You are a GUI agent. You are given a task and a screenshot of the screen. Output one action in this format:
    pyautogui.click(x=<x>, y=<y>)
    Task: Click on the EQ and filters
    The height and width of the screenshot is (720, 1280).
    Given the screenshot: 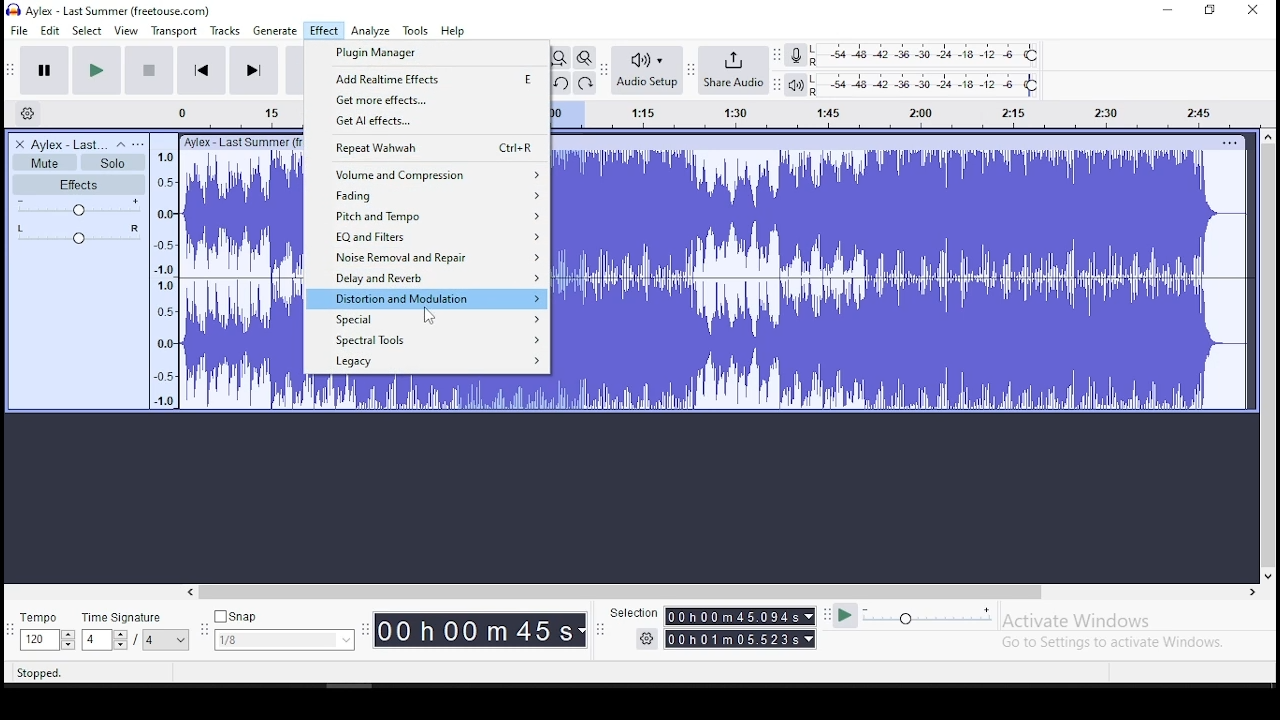 What is the action you would take?
    pyautogui.click(x=424, y=235)
    